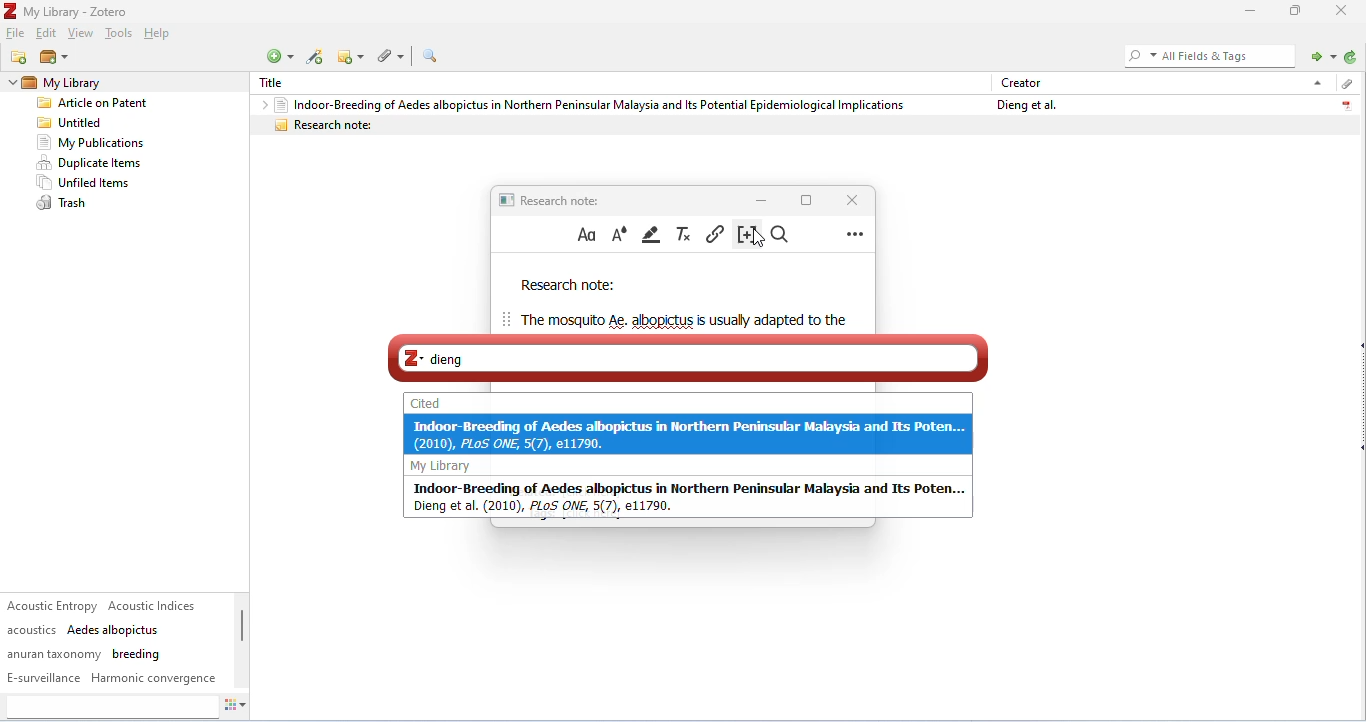  I want to click on edit, so click(48, 34).